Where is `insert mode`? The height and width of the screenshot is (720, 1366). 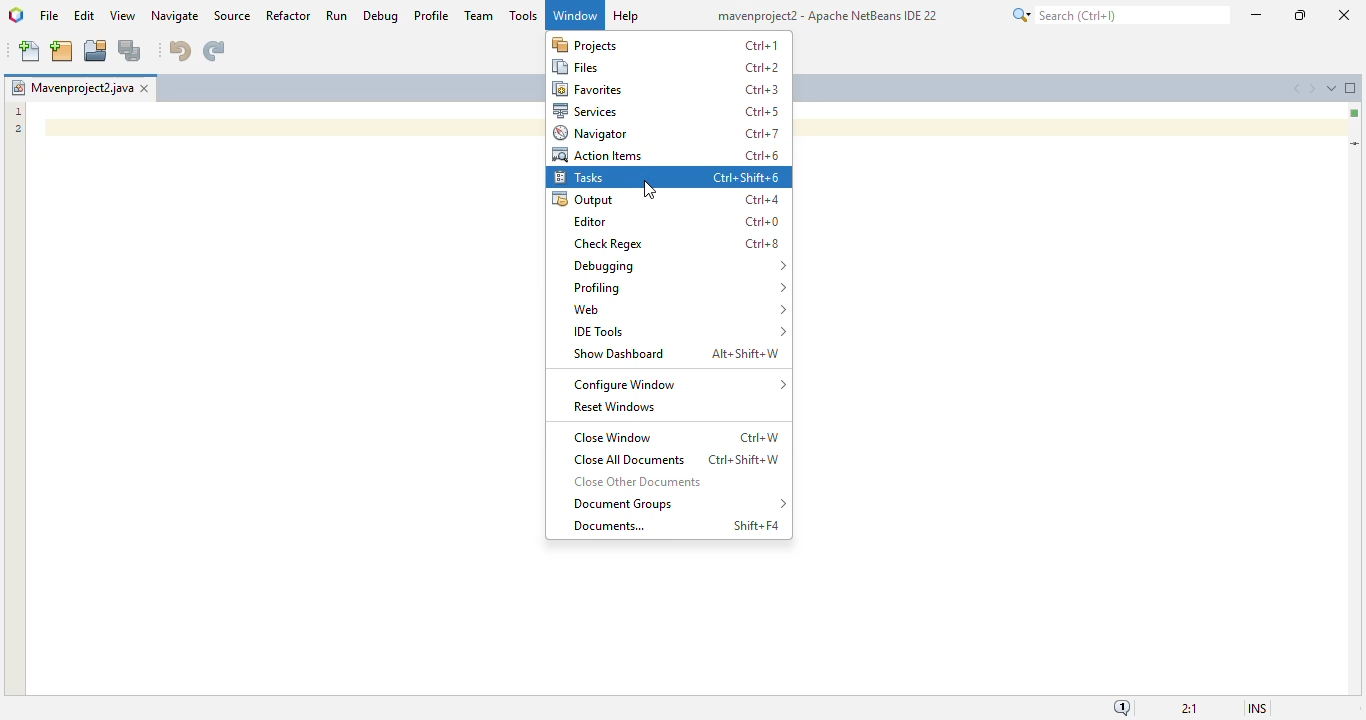
insert mode is located at coordinates (1257, 709).